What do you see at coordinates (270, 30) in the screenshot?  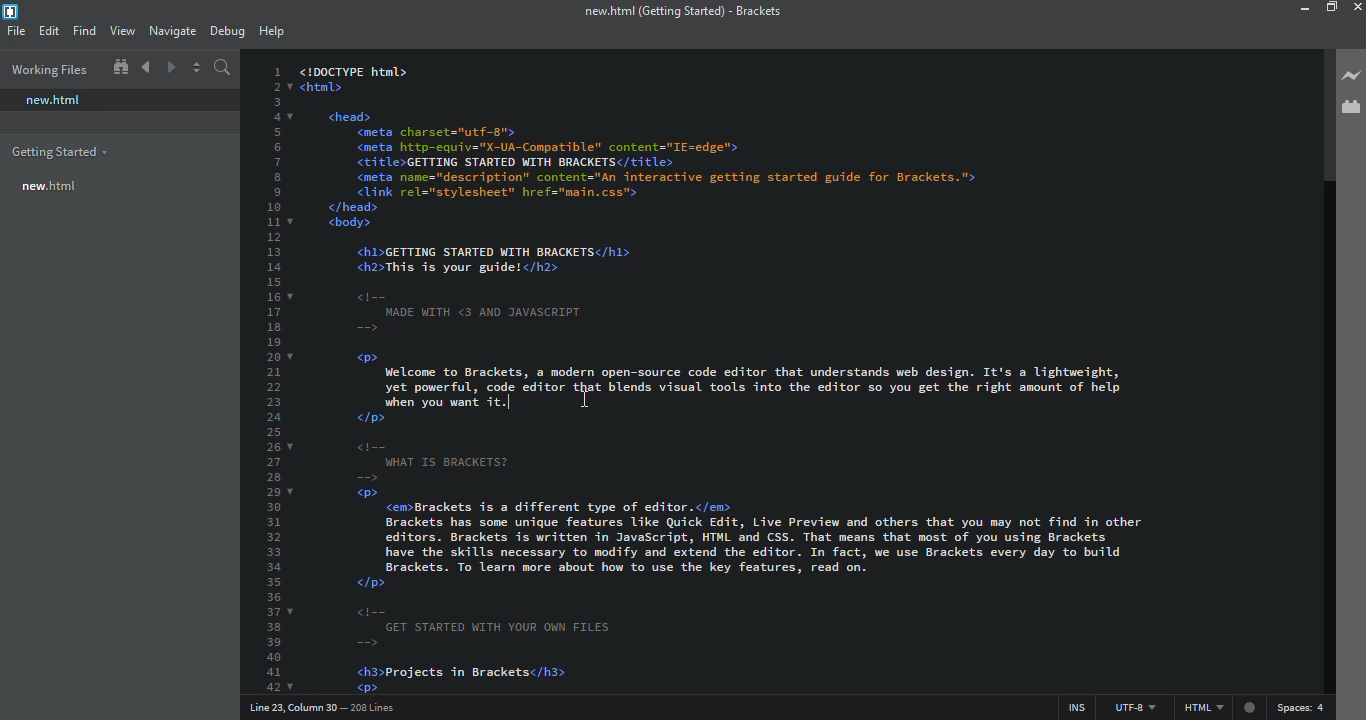 I see `help` at bounding box center [270, 30].